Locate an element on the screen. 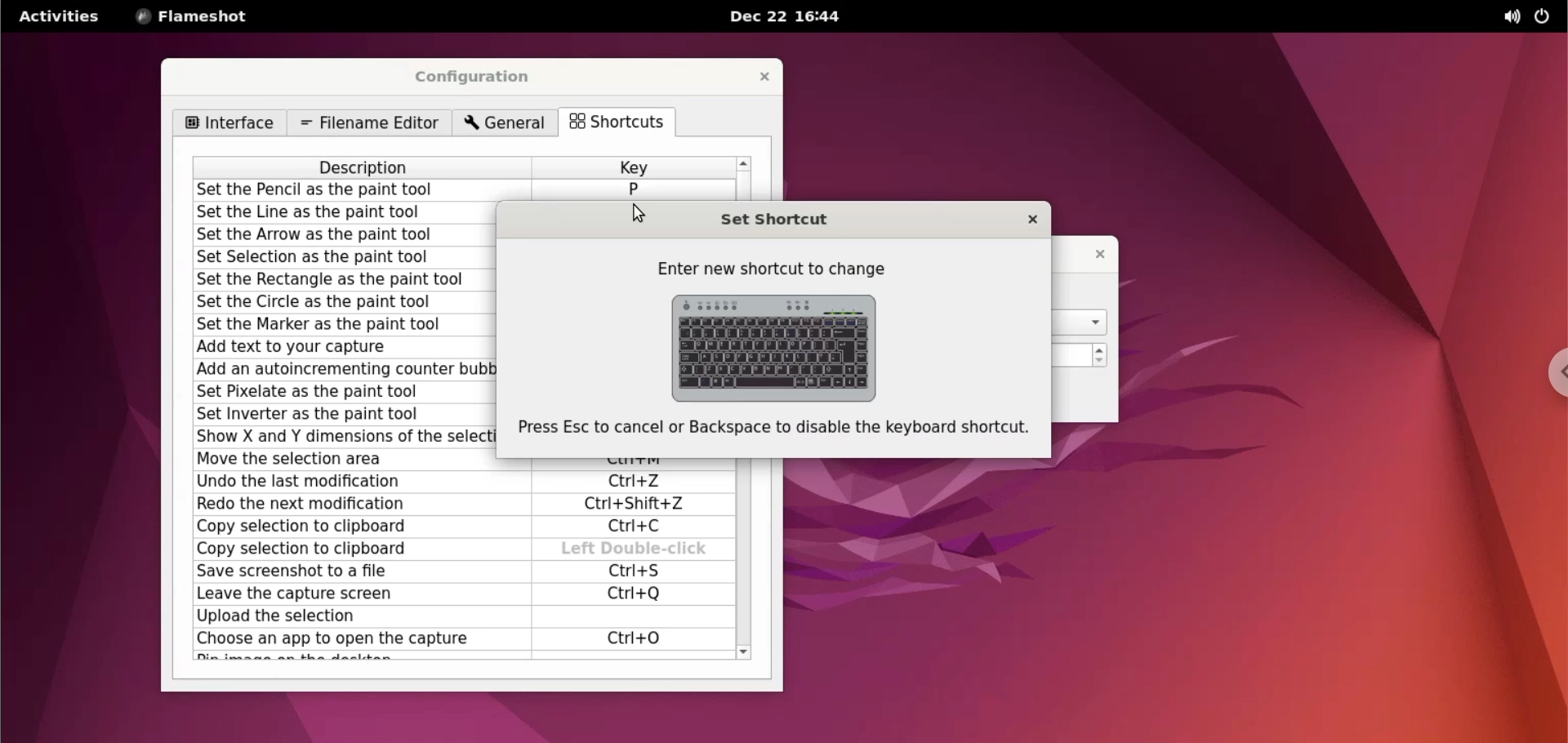 The width and height of the screenshot is (1568, 743). undo the last modification is located at coordinates (354, 482).